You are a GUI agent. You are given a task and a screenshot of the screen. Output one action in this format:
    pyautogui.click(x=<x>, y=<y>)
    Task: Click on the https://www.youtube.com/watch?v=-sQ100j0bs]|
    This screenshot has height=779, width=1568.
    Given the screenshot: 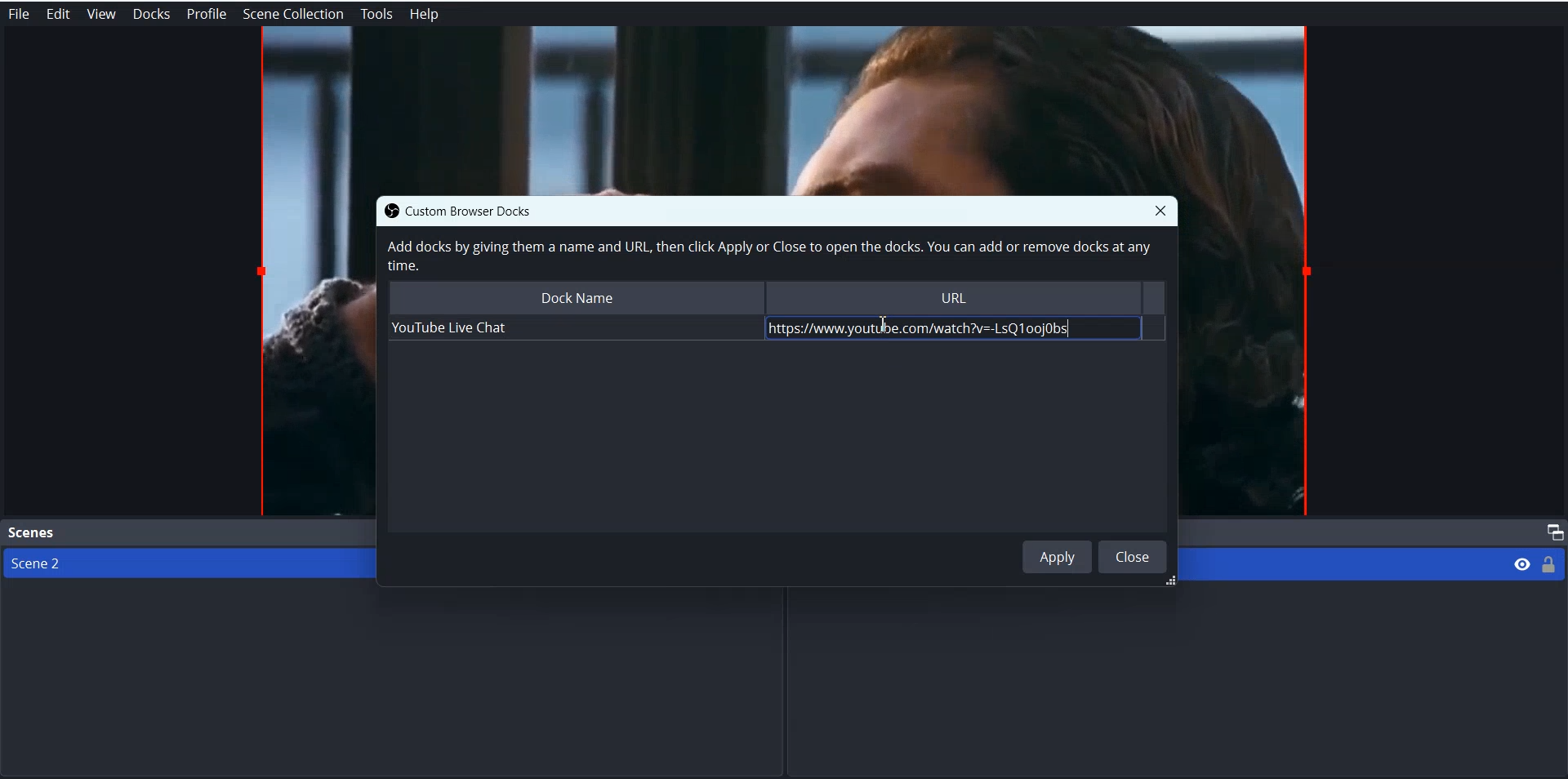 What is the action you would take?
    pyautogui.click(x=946, y=328)
    